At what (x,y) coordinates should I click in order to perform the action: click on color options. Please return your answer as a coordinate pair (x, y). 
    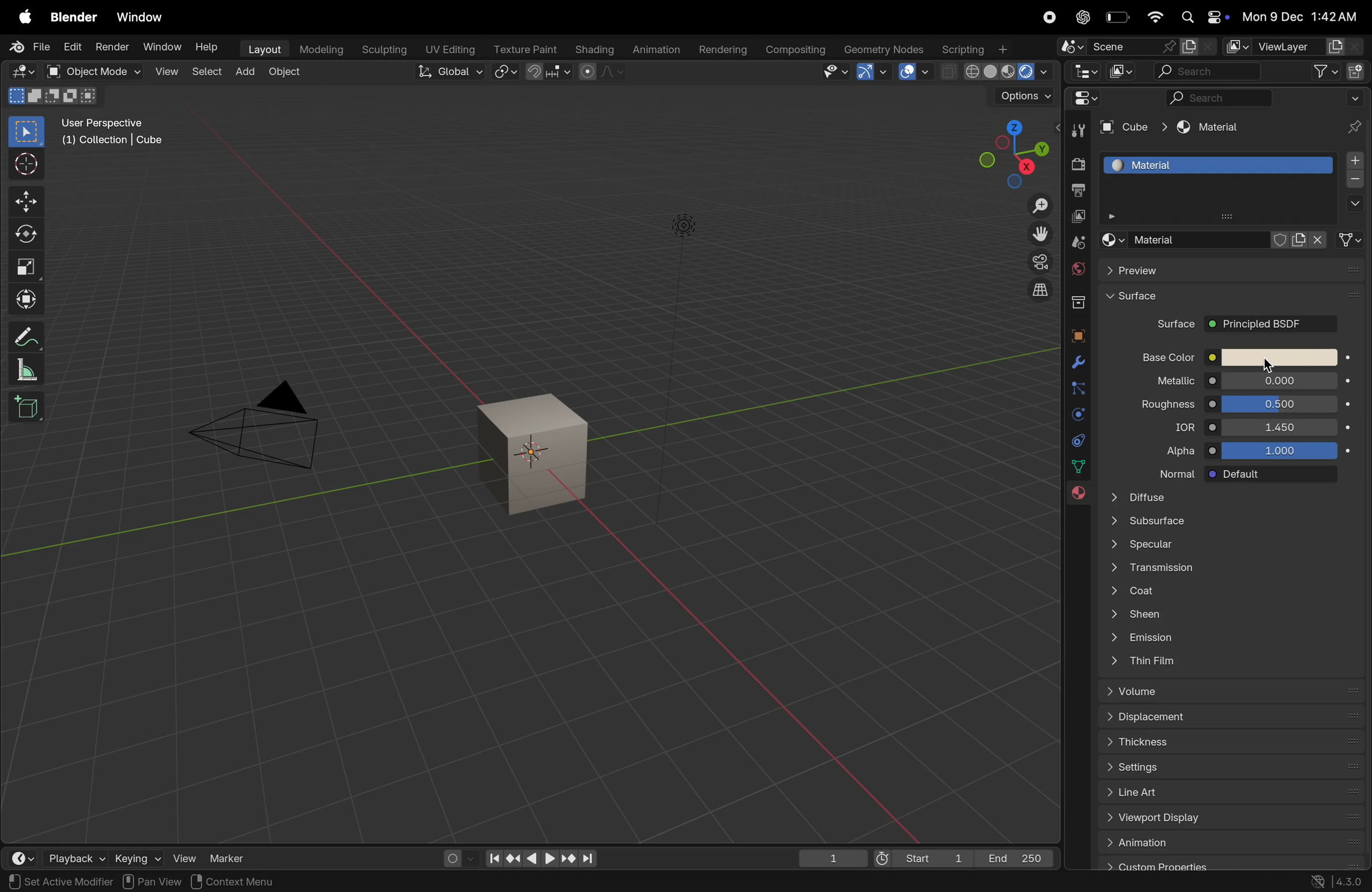
    Looking at the image, I should click on (1280, 357).